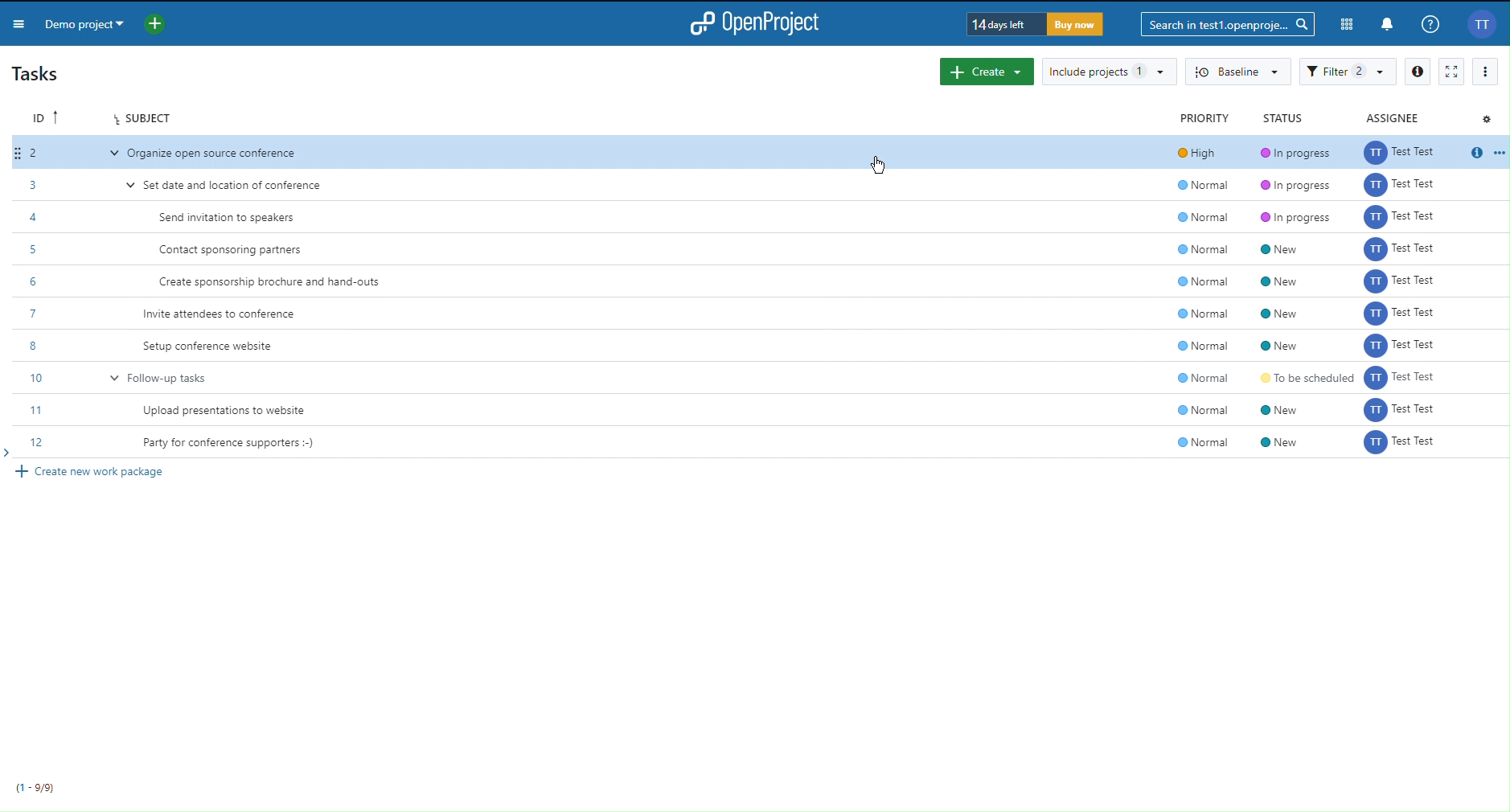 The width and height of the screenshot is (1510, 812). What do you see at coordinates (1032, 24) in the screenshot?
I see `Trial Timer` at bounding box center [1032, 24].